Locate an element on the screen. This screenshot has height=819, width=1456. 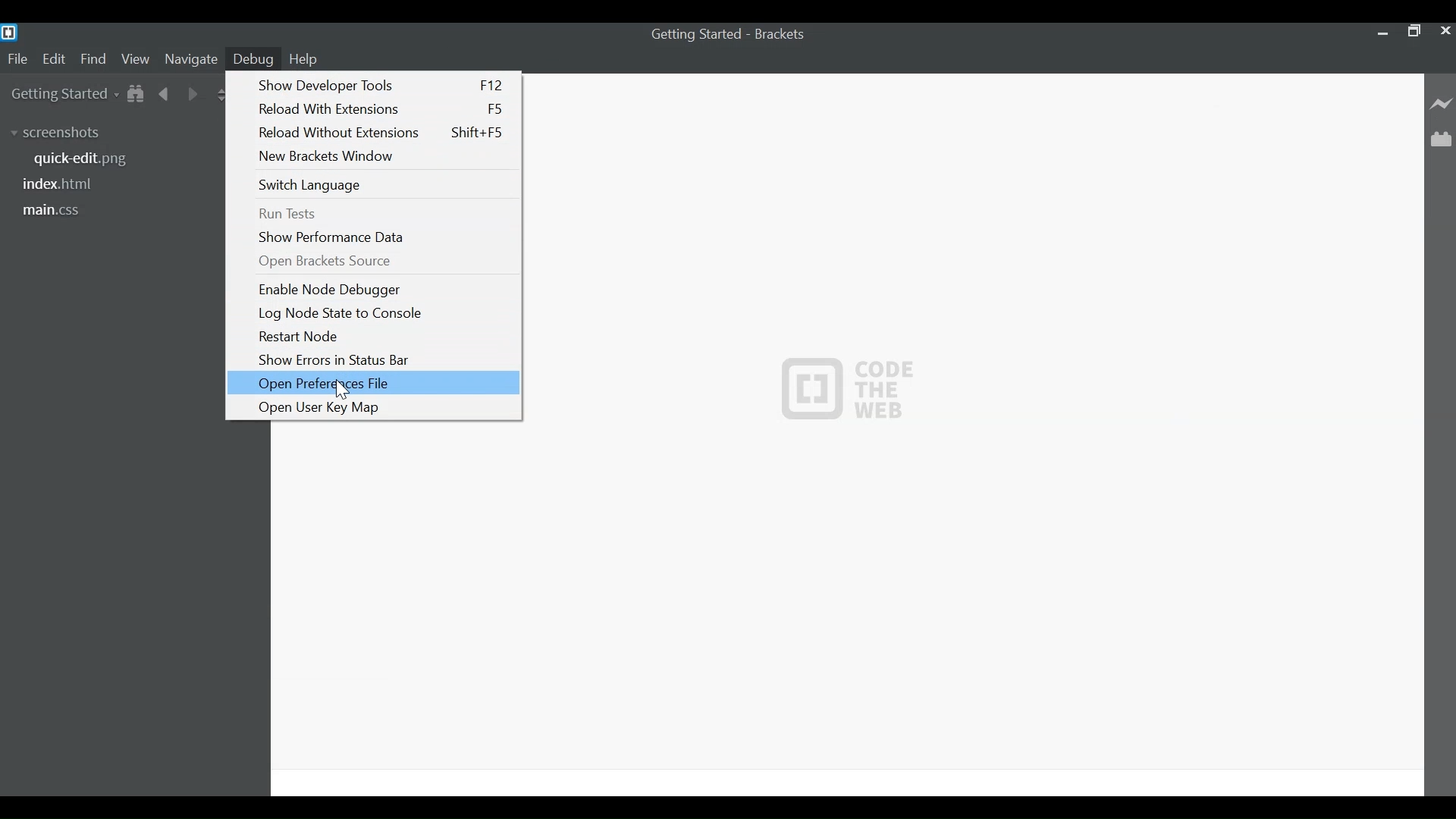
Open User Key Map is located at coordinates (379, 407).